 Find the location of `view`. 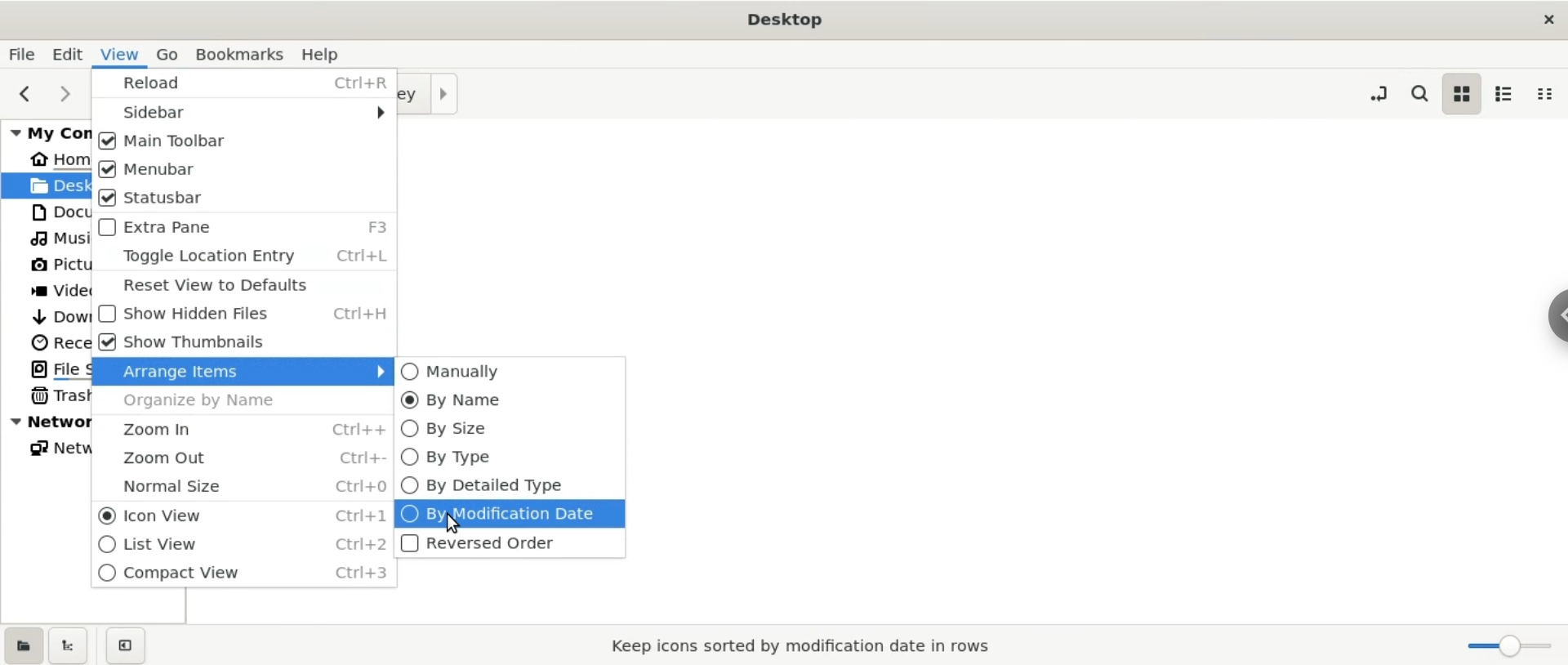

view is located at coordinates (123, 56).